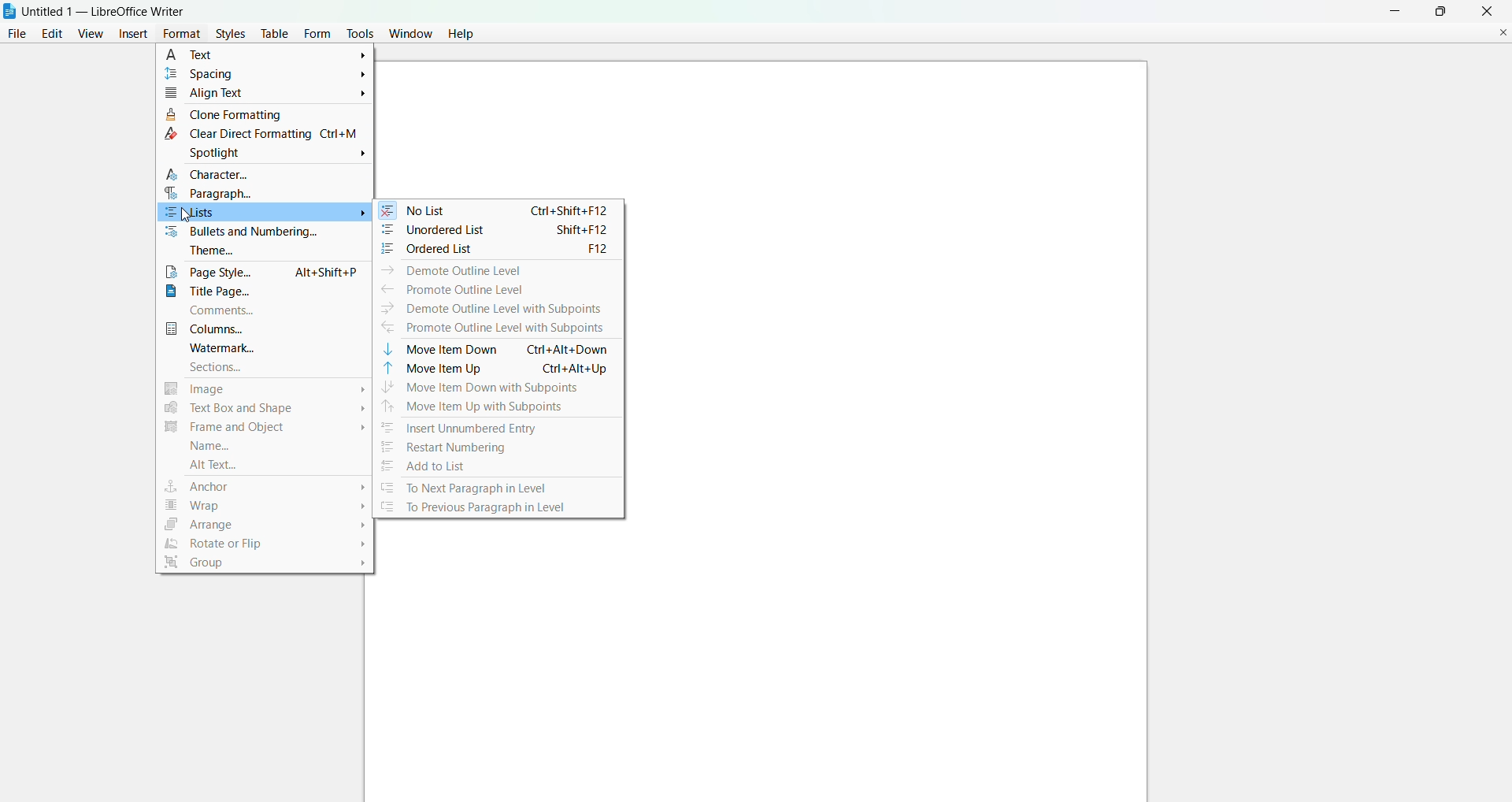 Image resolution: width=1512 pixels, height=802 pixels. Describe the element at coordinates (1503, 32) in the screenshot. I see `close document` at that location.